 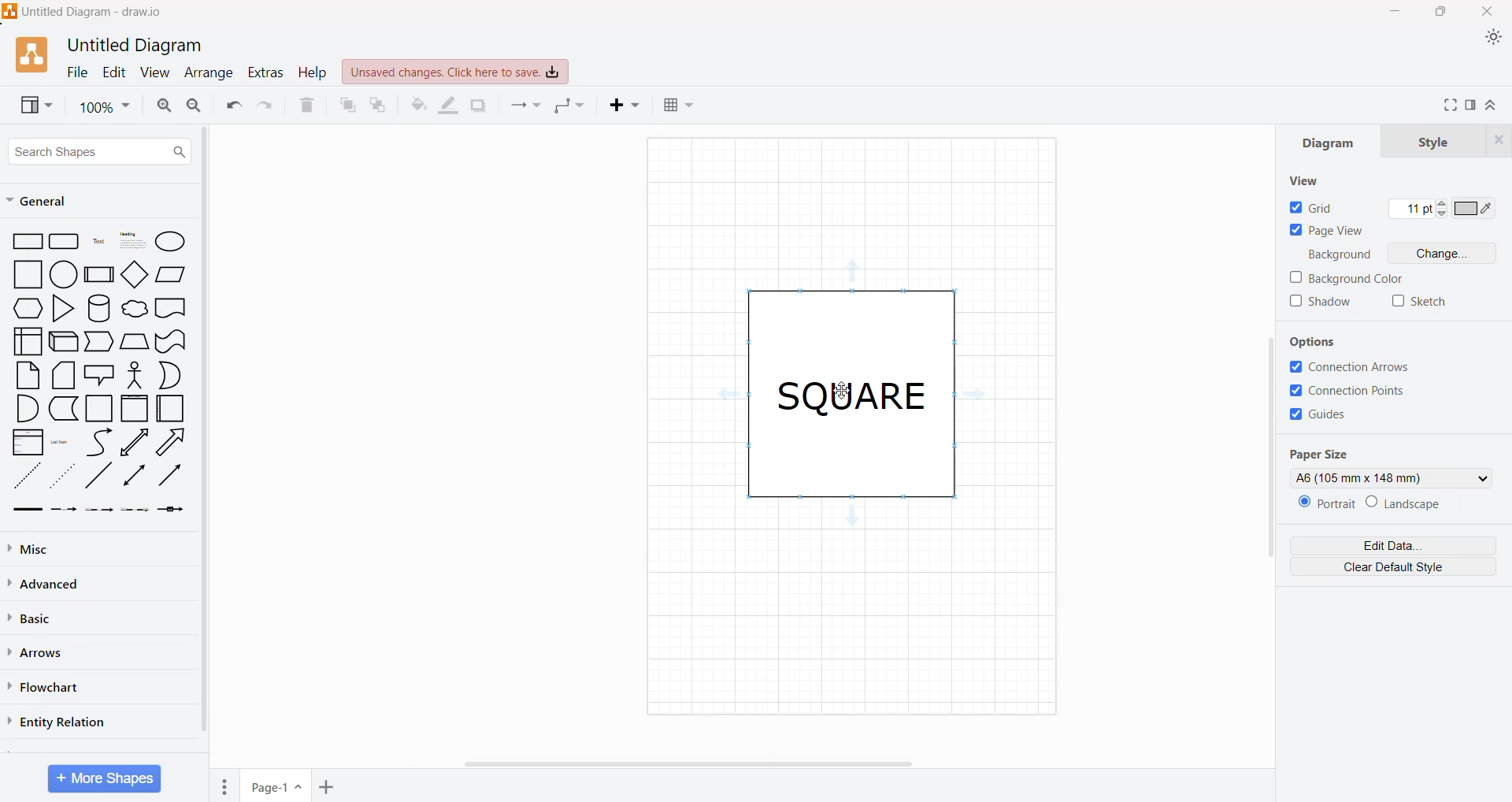 I want to click on Trapezoid, so click(x=99, y=343).